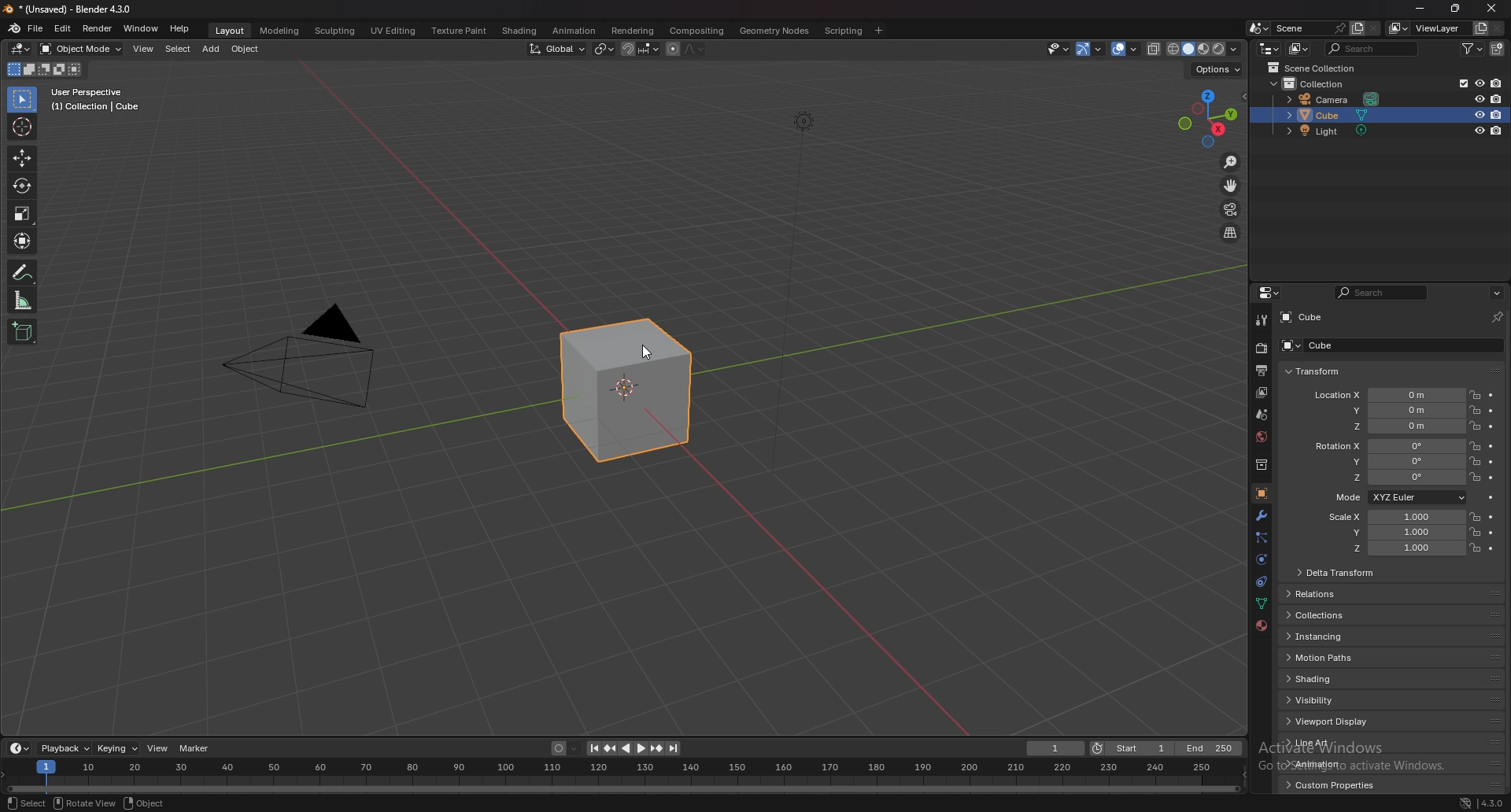 This screenshot has width=1511, height=812. I want to click on physics, so click(1261, 560).